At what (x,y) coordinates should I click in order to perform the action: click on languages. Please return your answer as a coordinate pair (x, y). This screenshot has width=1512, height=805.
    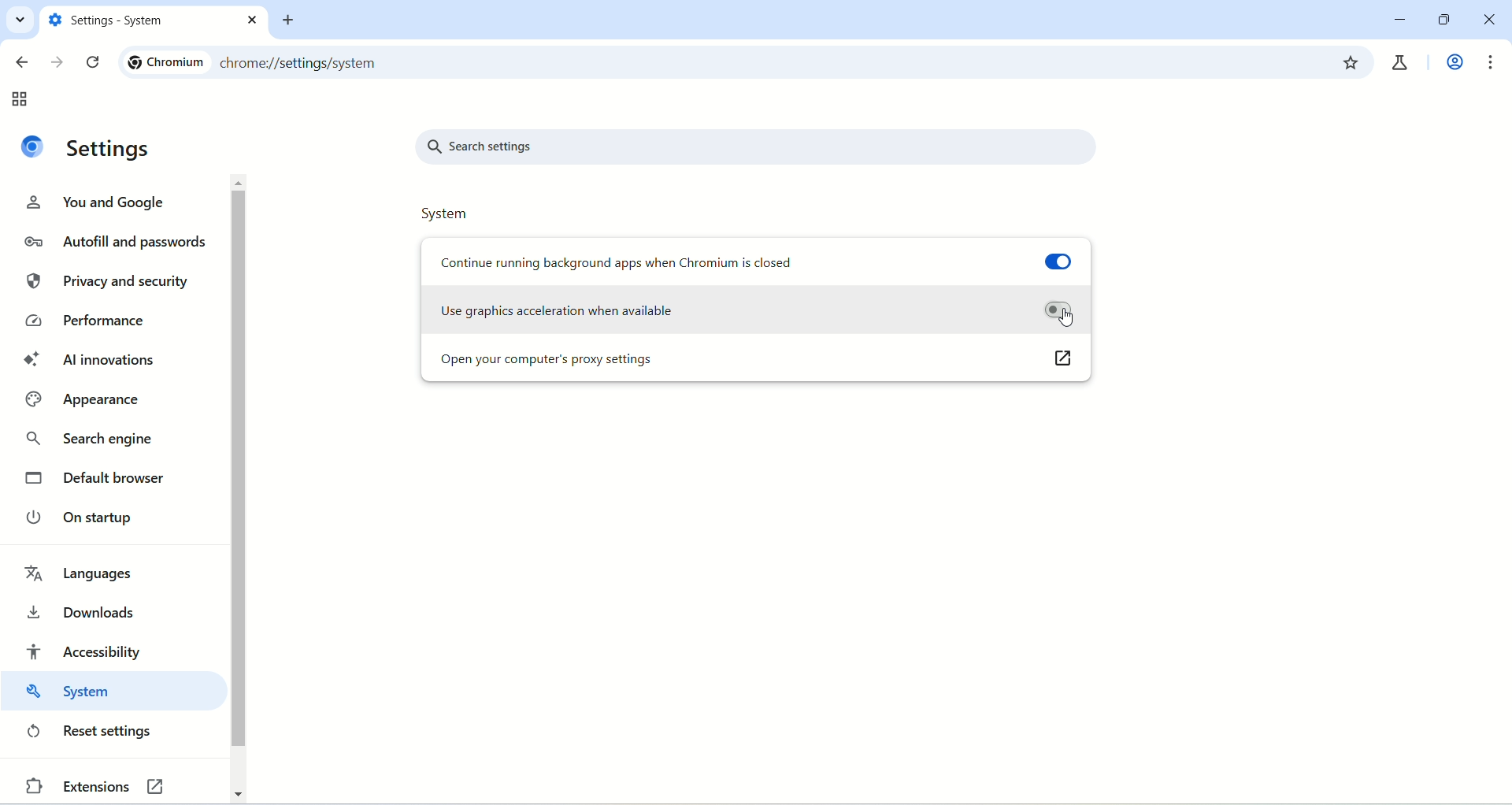
    Looking at the image, I should click on (81, 574).